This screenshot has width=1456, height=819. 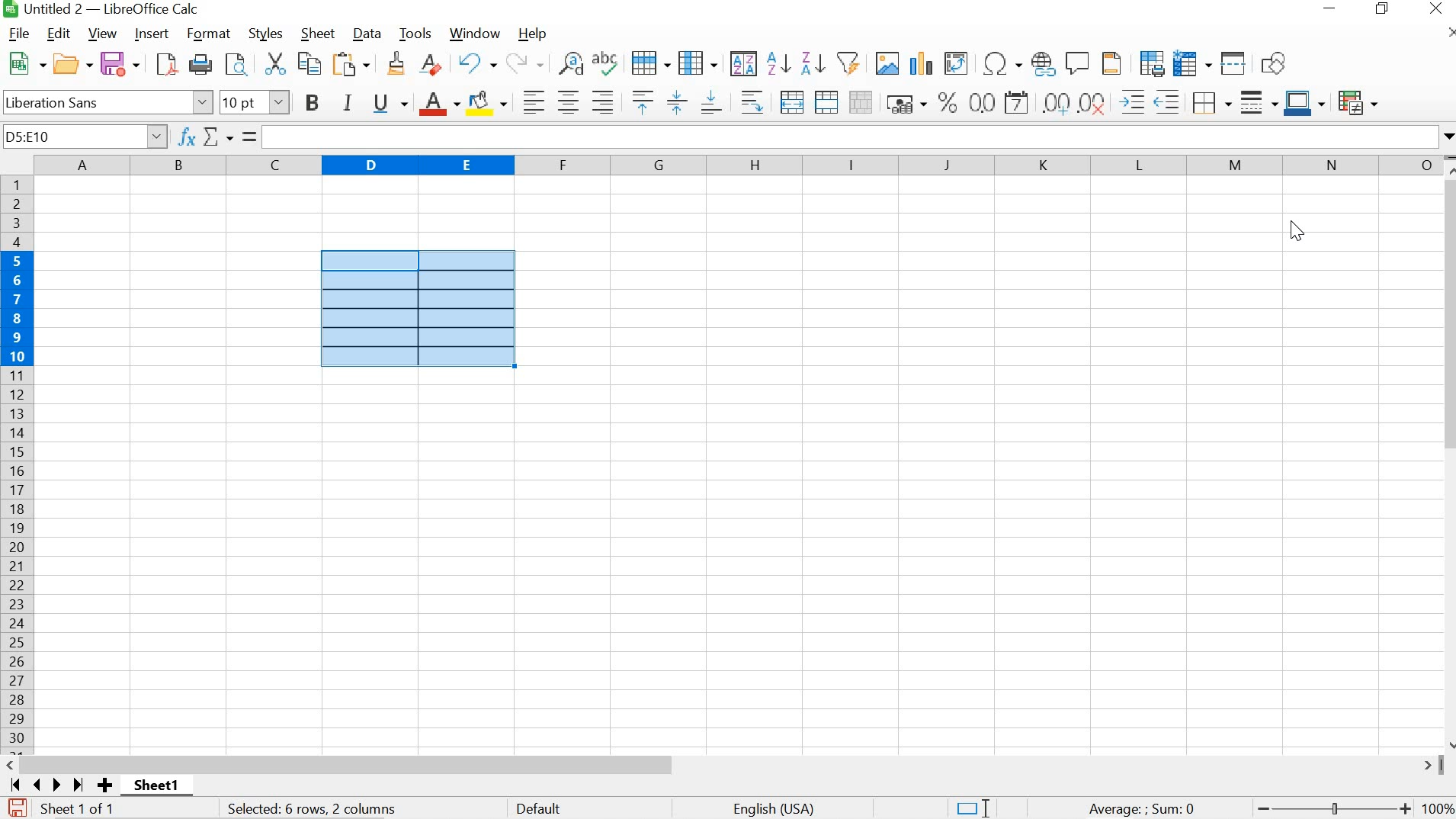 I want to click on DATA, so click(x=364, y=33).